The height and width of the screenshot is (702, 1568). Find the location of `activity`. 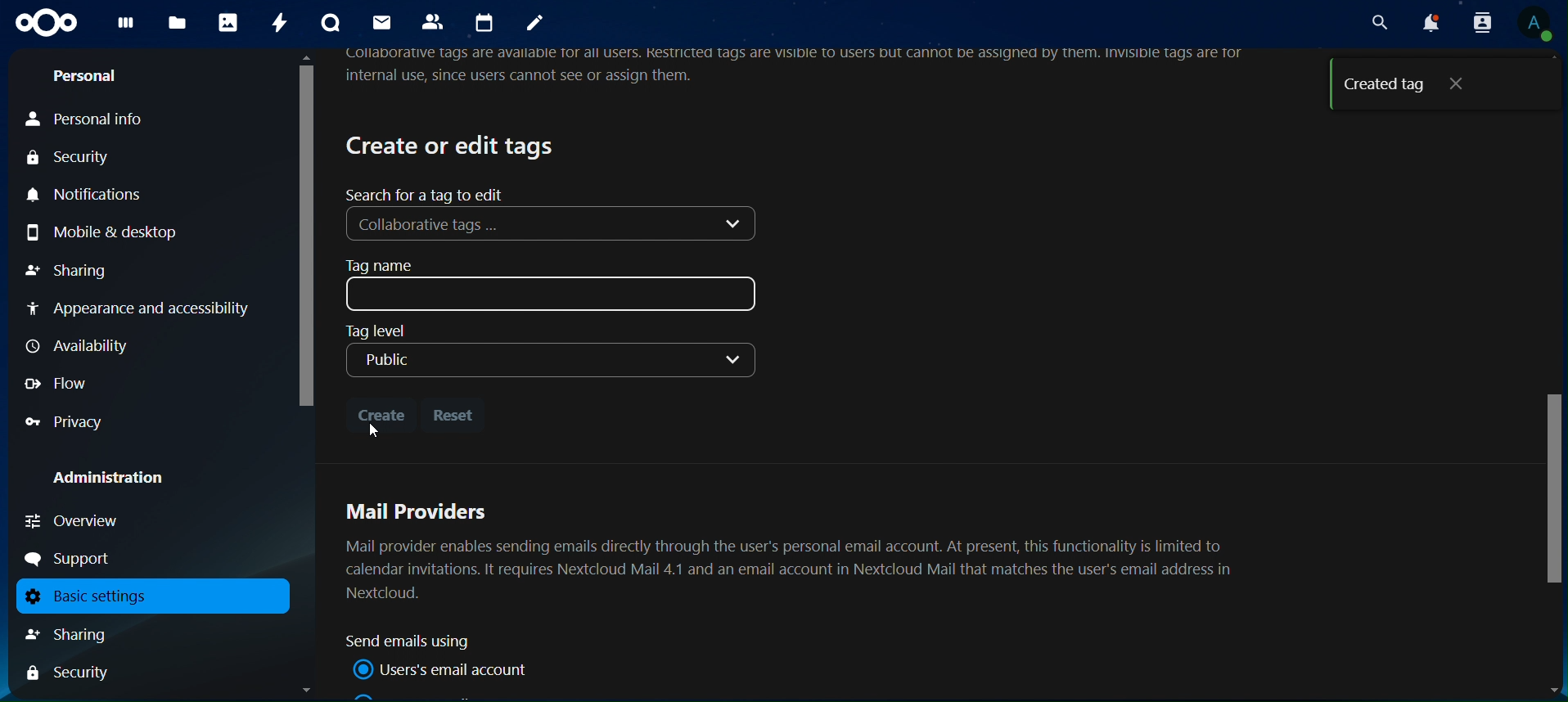

activity is located at coordinates (282, 23).